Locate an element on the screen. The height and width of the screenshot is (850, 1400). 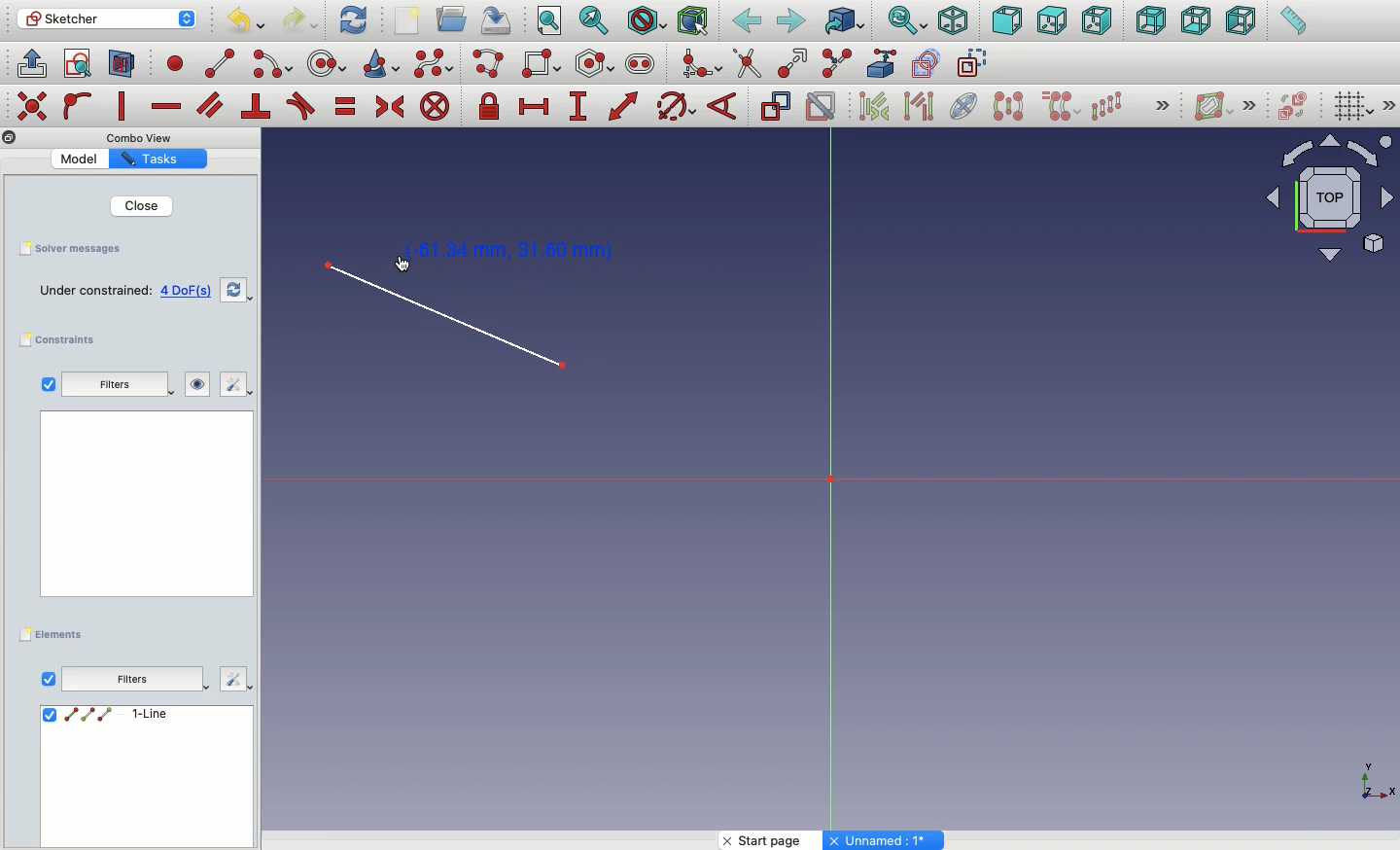
Polygon is located at coordinates (596, 64).